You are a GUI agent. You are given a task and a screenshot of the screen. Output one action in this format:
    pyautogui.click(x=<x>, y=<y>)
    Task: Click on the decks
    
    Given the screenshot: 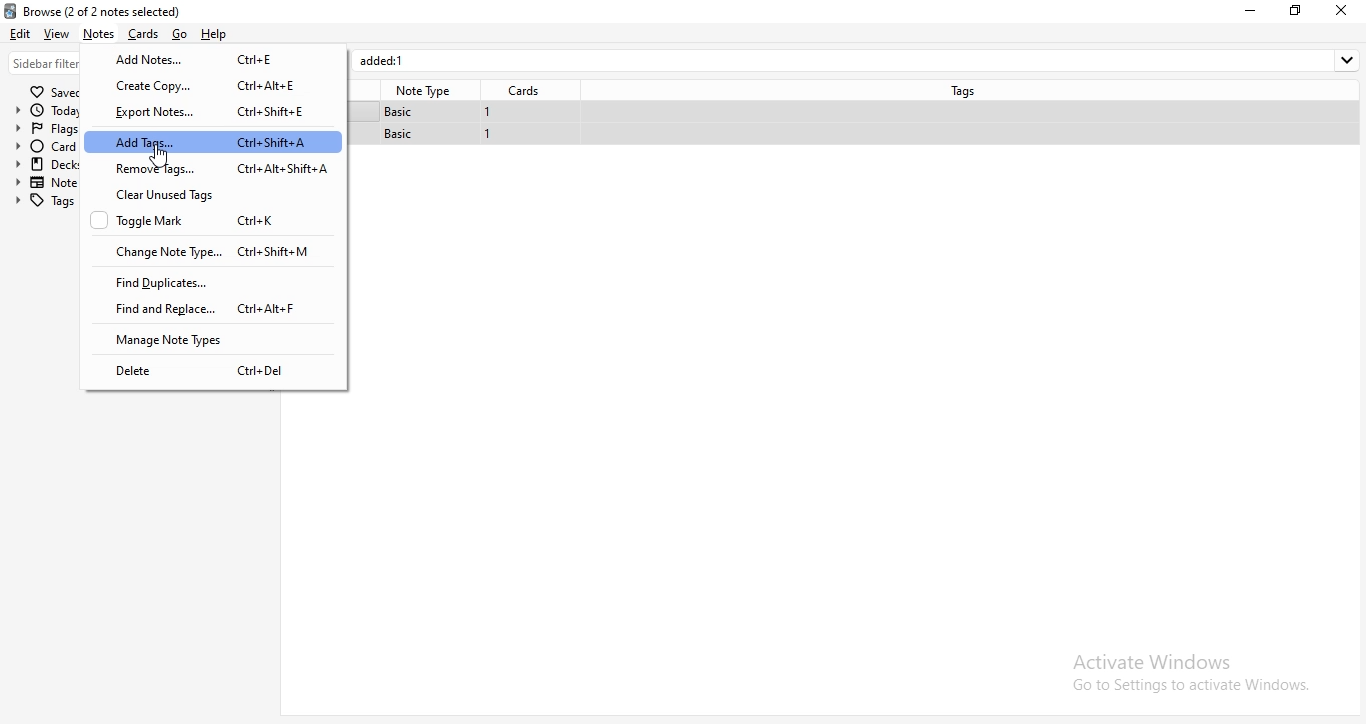 What is the action you would take?
    pyautogui.click(x=45, y=165)
    